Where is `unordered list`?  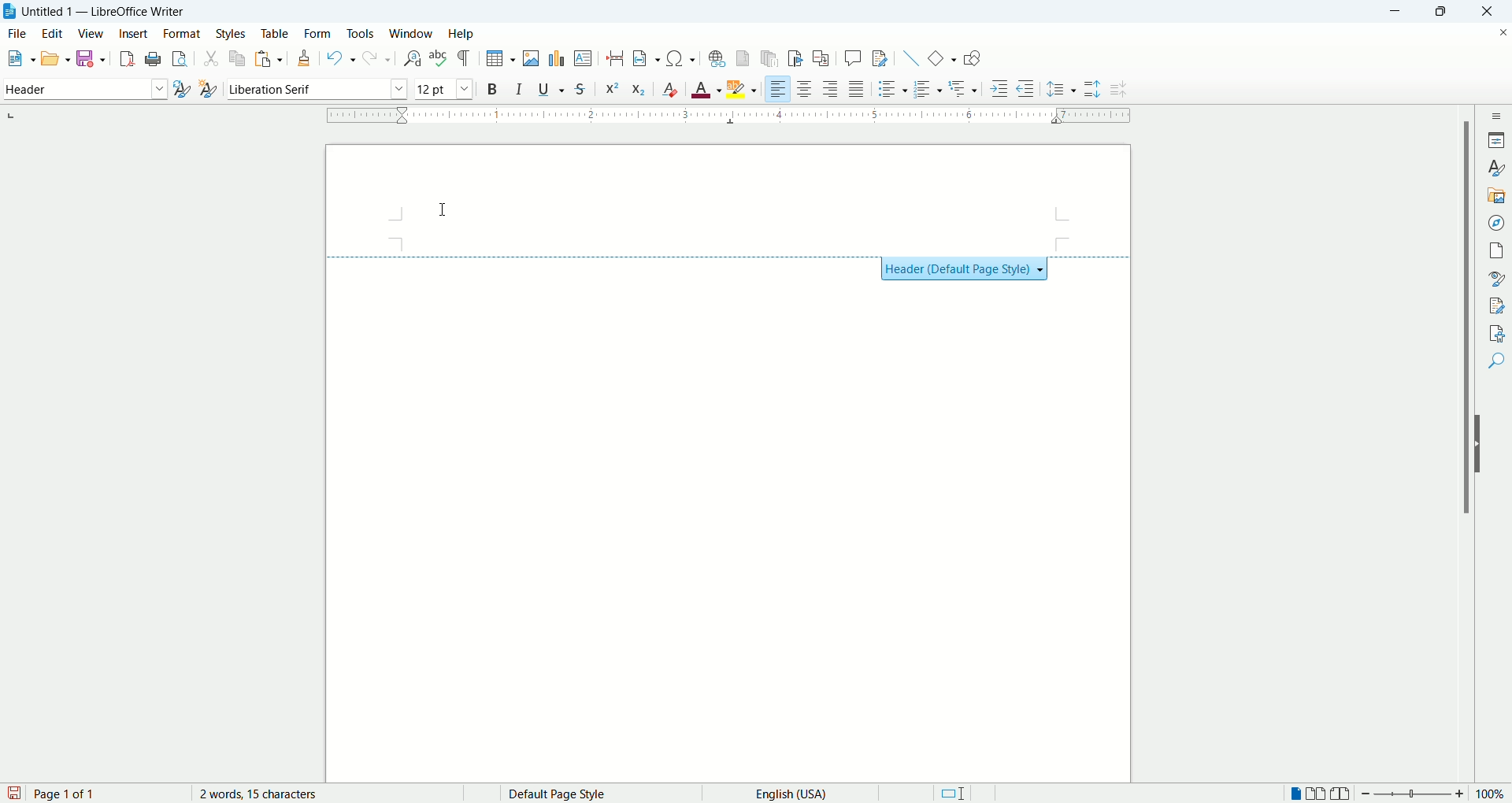
unordered list is located at coordinates (884, 91).